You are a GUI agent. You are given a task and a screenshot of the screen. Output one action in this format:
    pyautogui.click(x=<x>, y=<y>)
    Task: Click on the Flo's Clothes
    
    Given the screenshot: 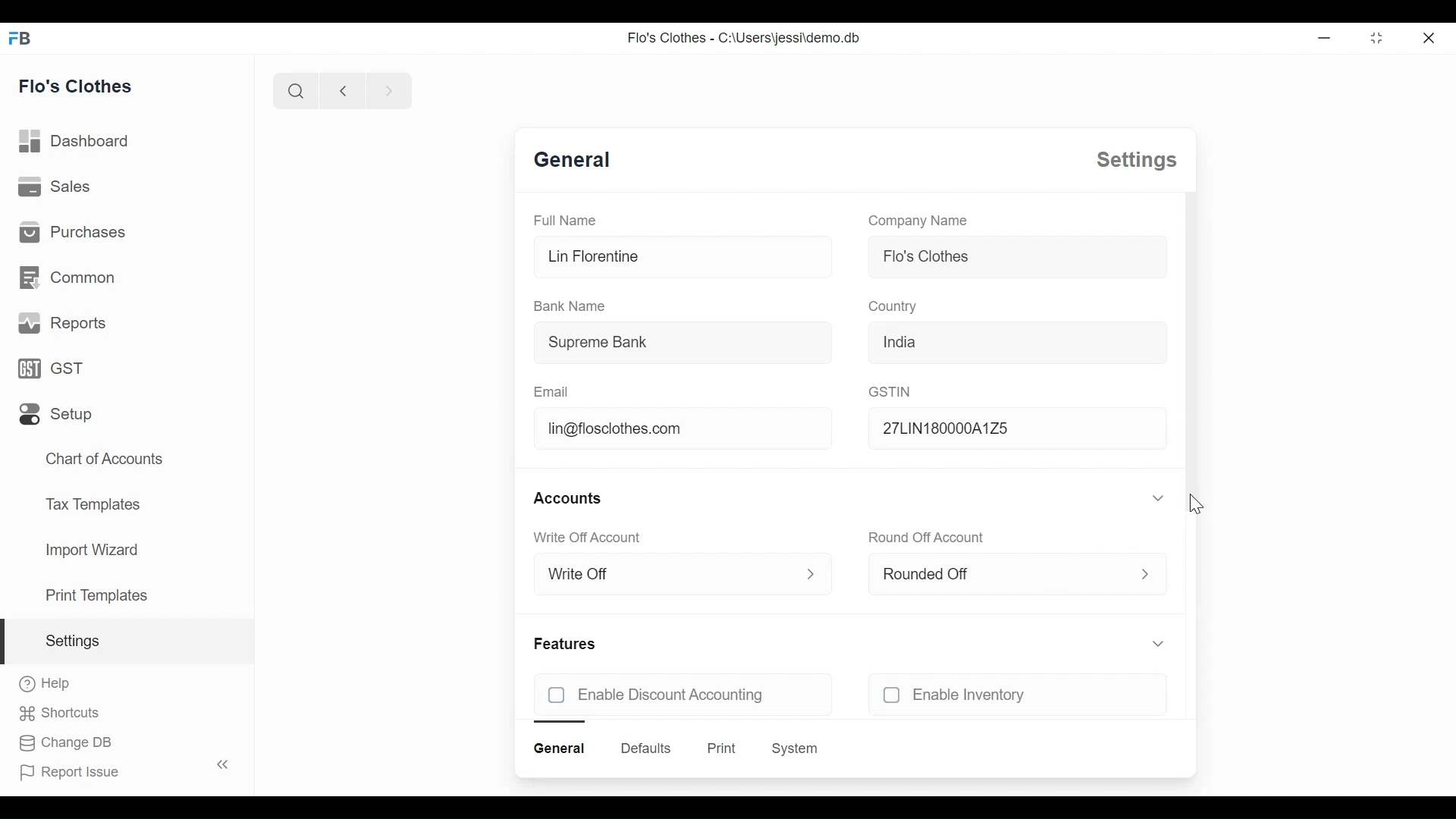 What is the action you would take?
    pyautogui.click(x=76, y=84)
    